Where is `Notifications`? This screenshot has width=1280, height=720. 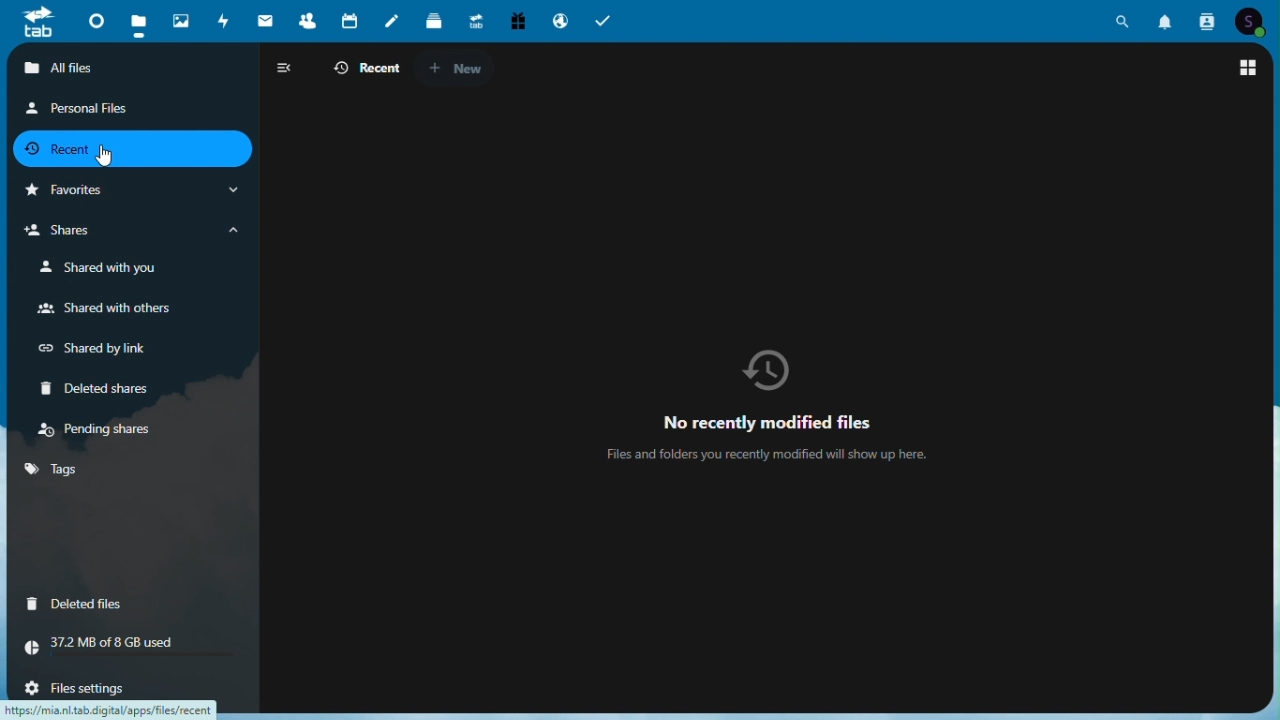
Notifications is located at coordinates (1168, 19).